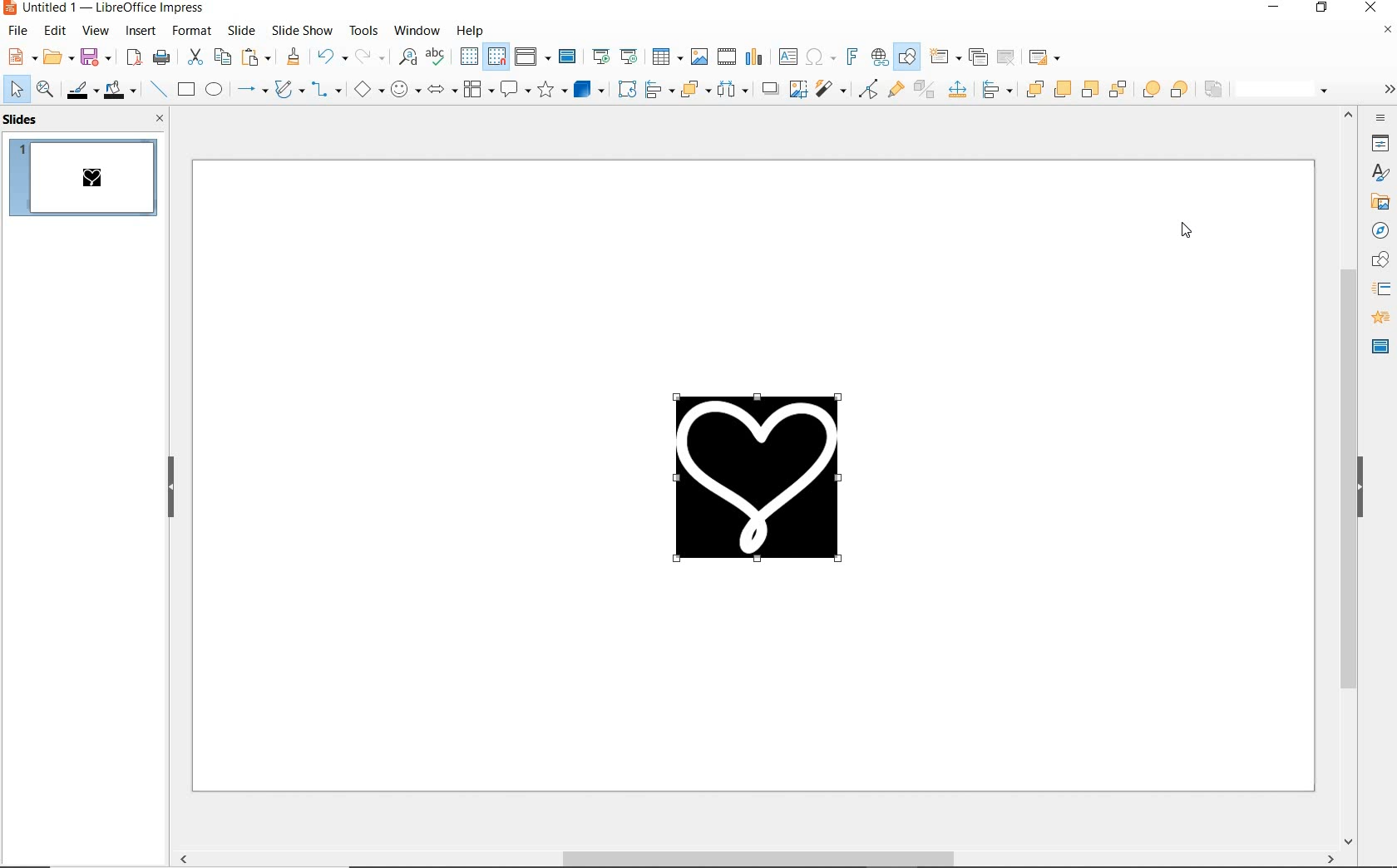 This screenshot has width=1397, height=868. What do you see at coordinates (215, 90) in the screenshot?
I see `ellipse` at bounding box center [215, 90].